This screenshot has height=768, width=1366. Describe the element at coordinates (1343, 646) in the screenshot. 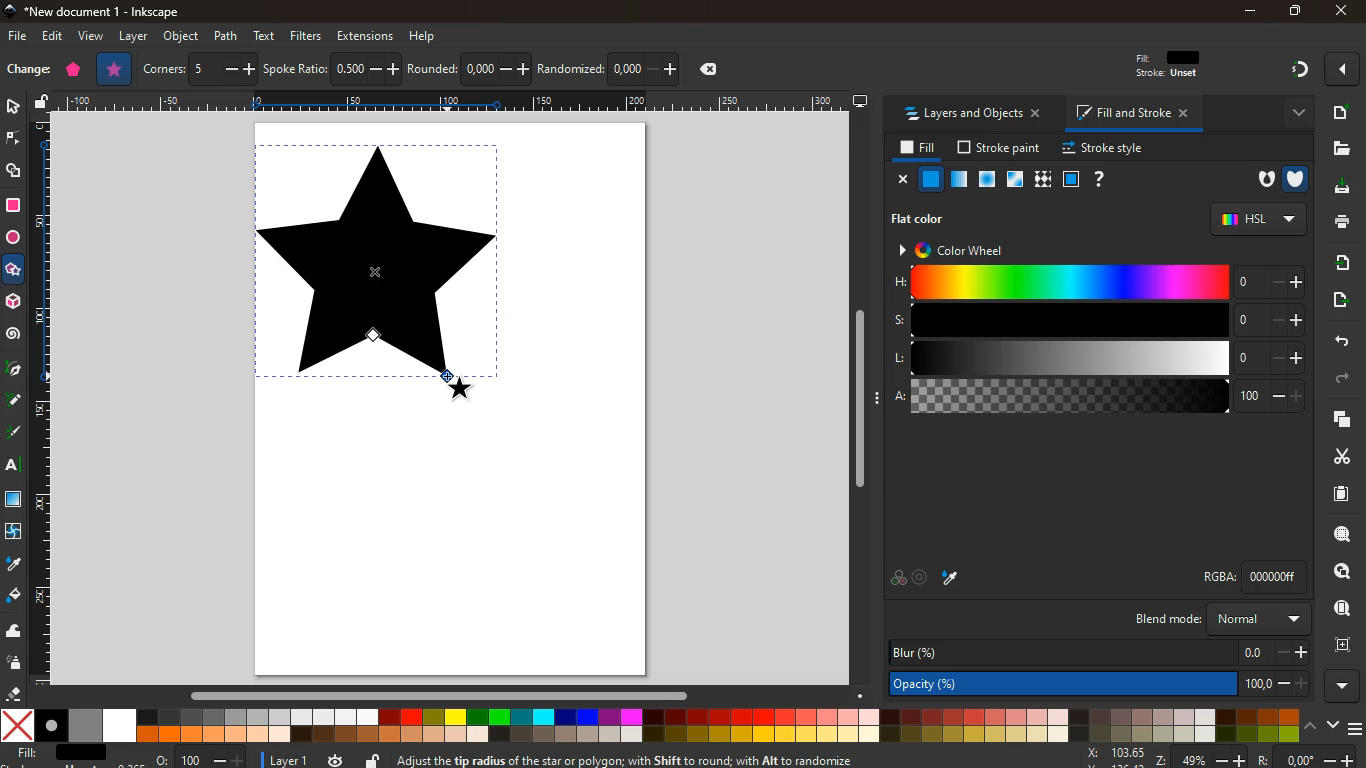

I see `frame` at that location.